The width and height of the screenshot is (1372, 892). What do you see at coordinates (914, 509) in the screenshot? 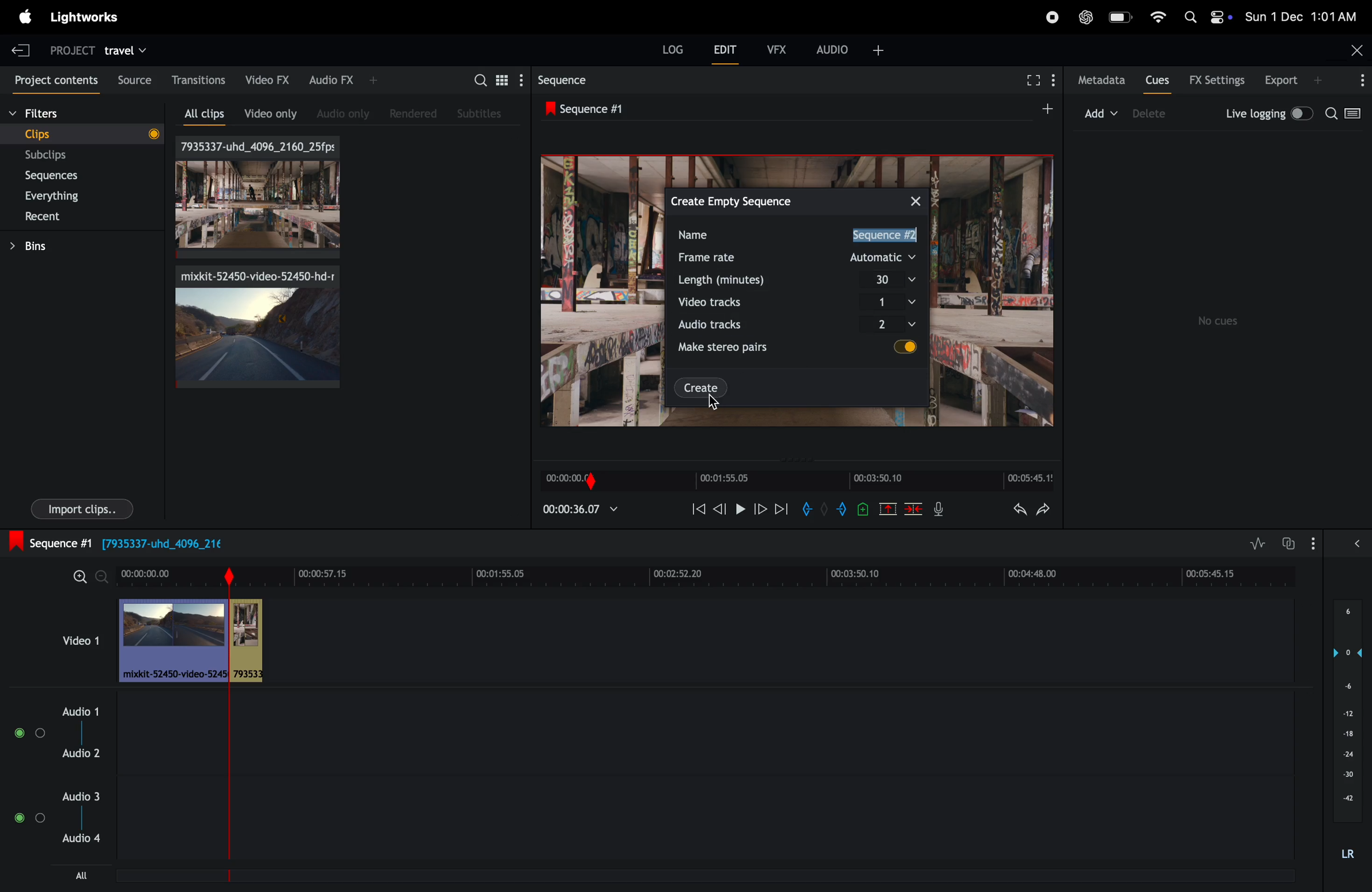
I see `delete clps` at bounding box center [914, 509].